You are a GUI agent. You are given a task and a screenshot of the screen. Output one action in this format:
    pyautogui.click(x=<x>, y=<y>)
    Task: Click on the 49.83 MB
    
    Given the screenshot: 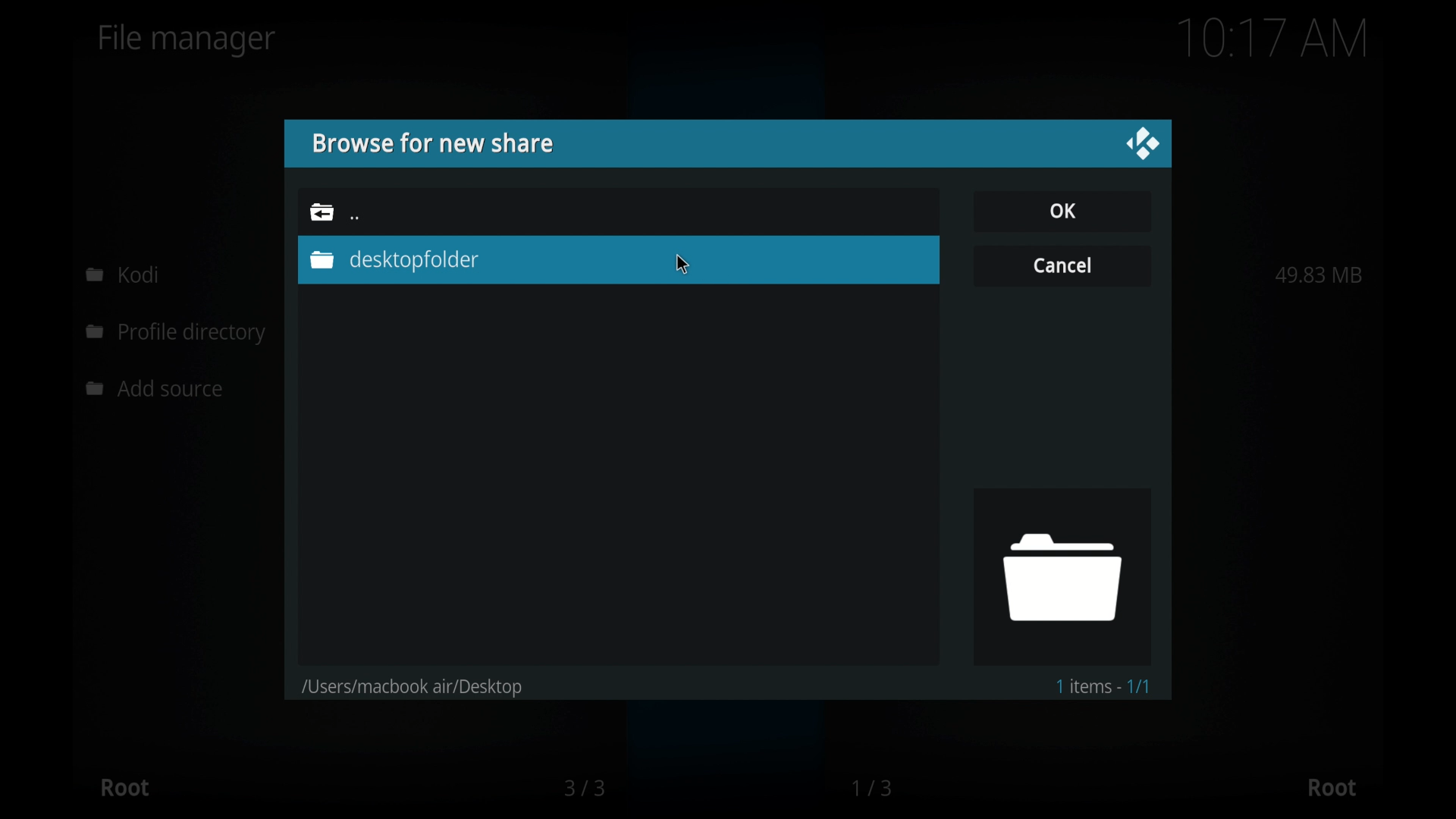 What is the action you would take?
    pyautogui.click(x=1319, y=275)
    